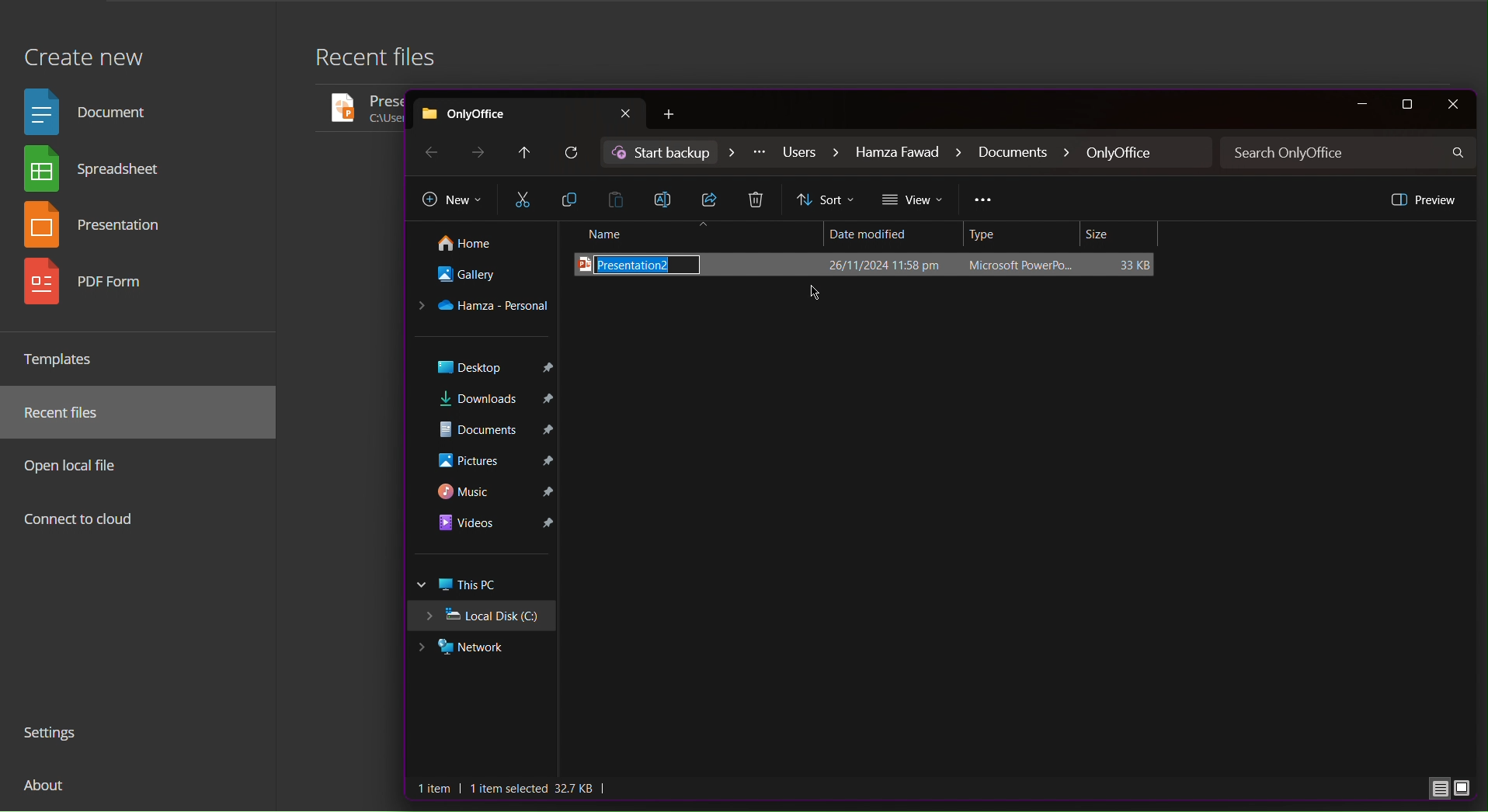  I want to click on Next, so click(480, 152).